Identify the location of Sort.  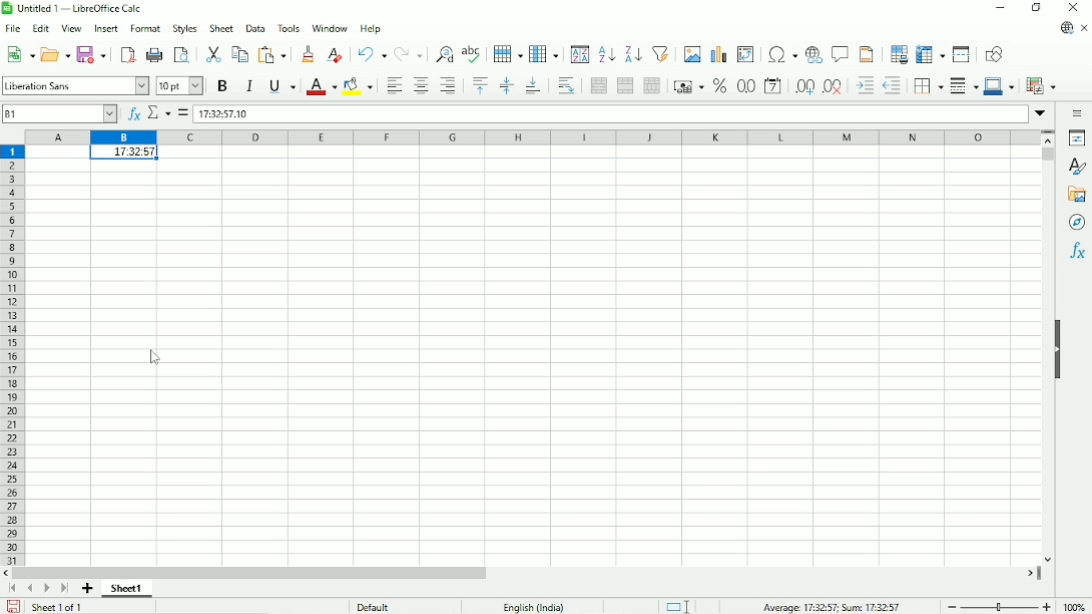
(581, 53).